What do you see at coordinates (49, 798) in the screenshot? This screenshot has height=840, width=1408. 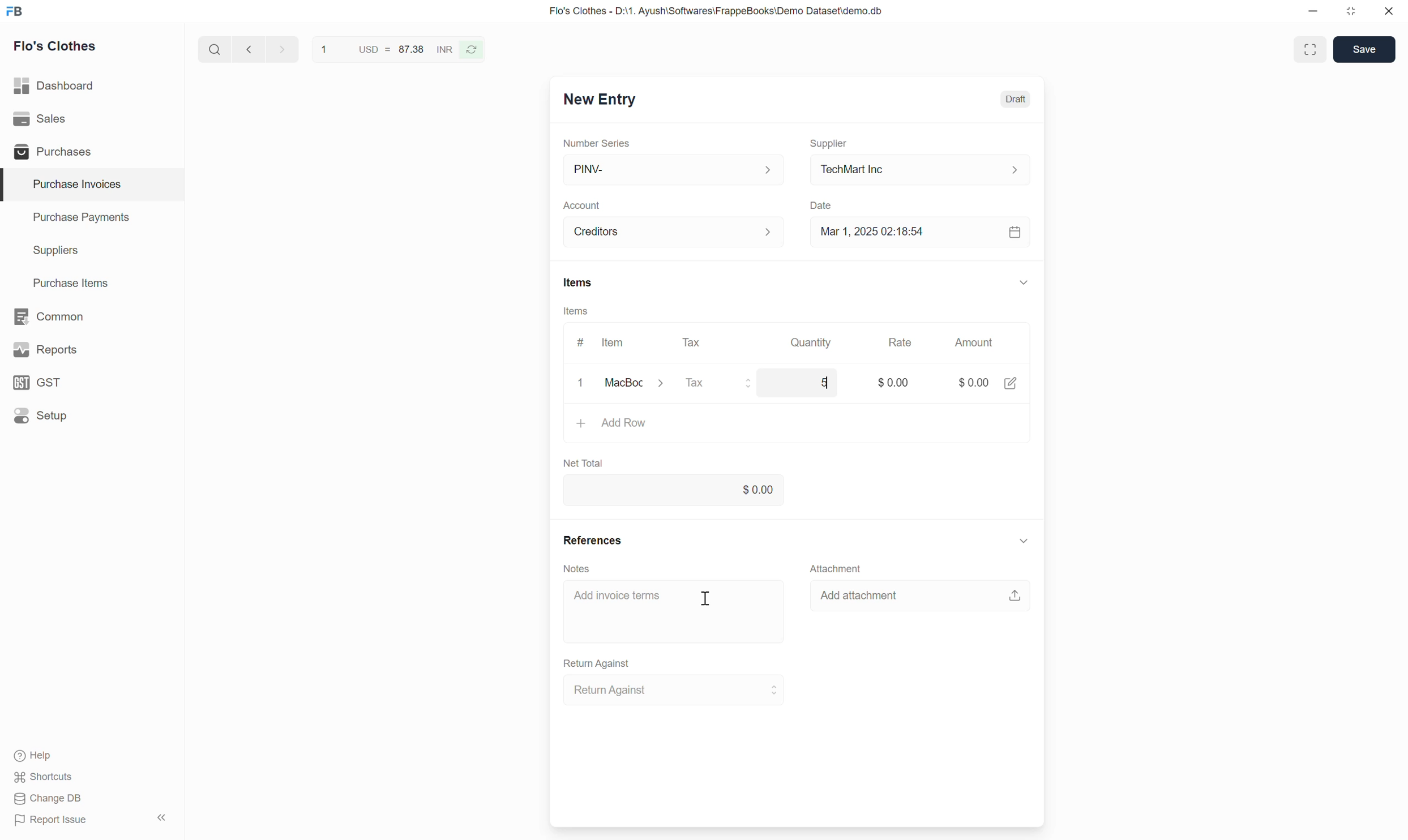 I see `Change DB` at bounding box center [49, 798].